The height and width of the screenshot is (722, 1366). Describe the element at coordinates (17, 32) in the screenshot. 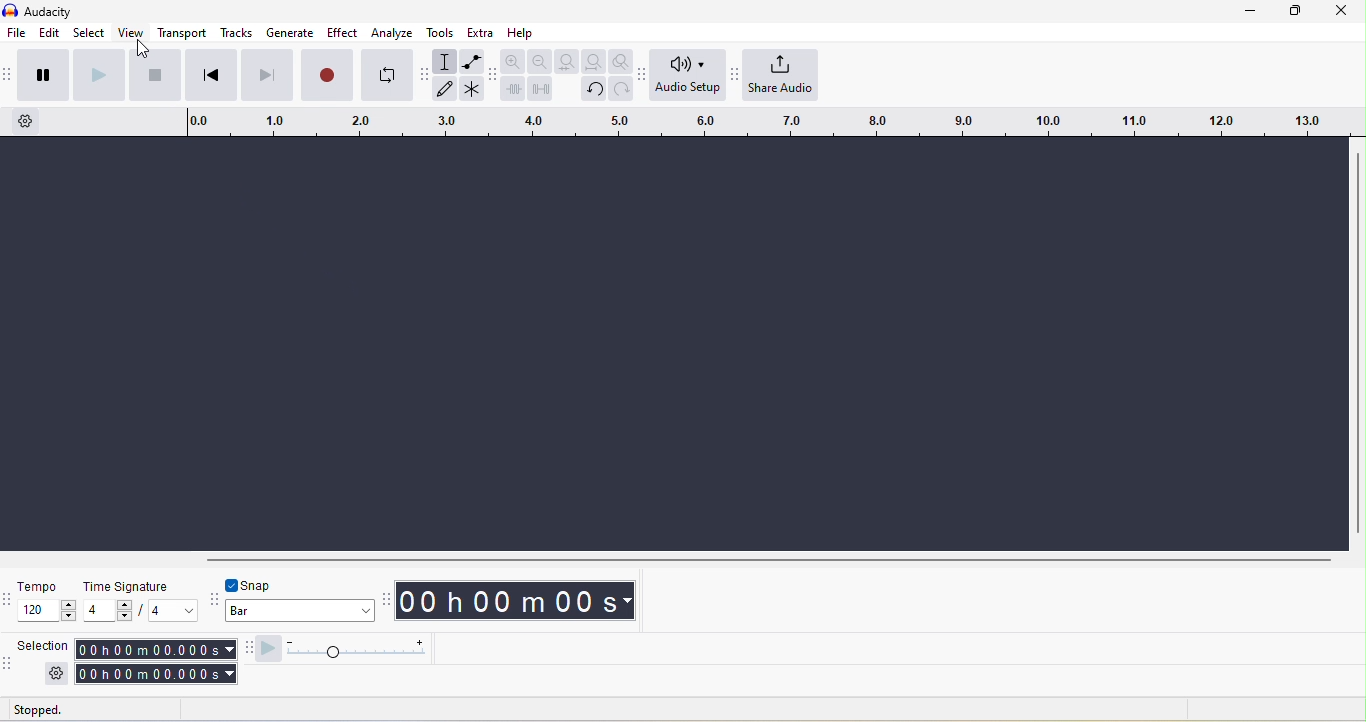

I see `file` at that location.